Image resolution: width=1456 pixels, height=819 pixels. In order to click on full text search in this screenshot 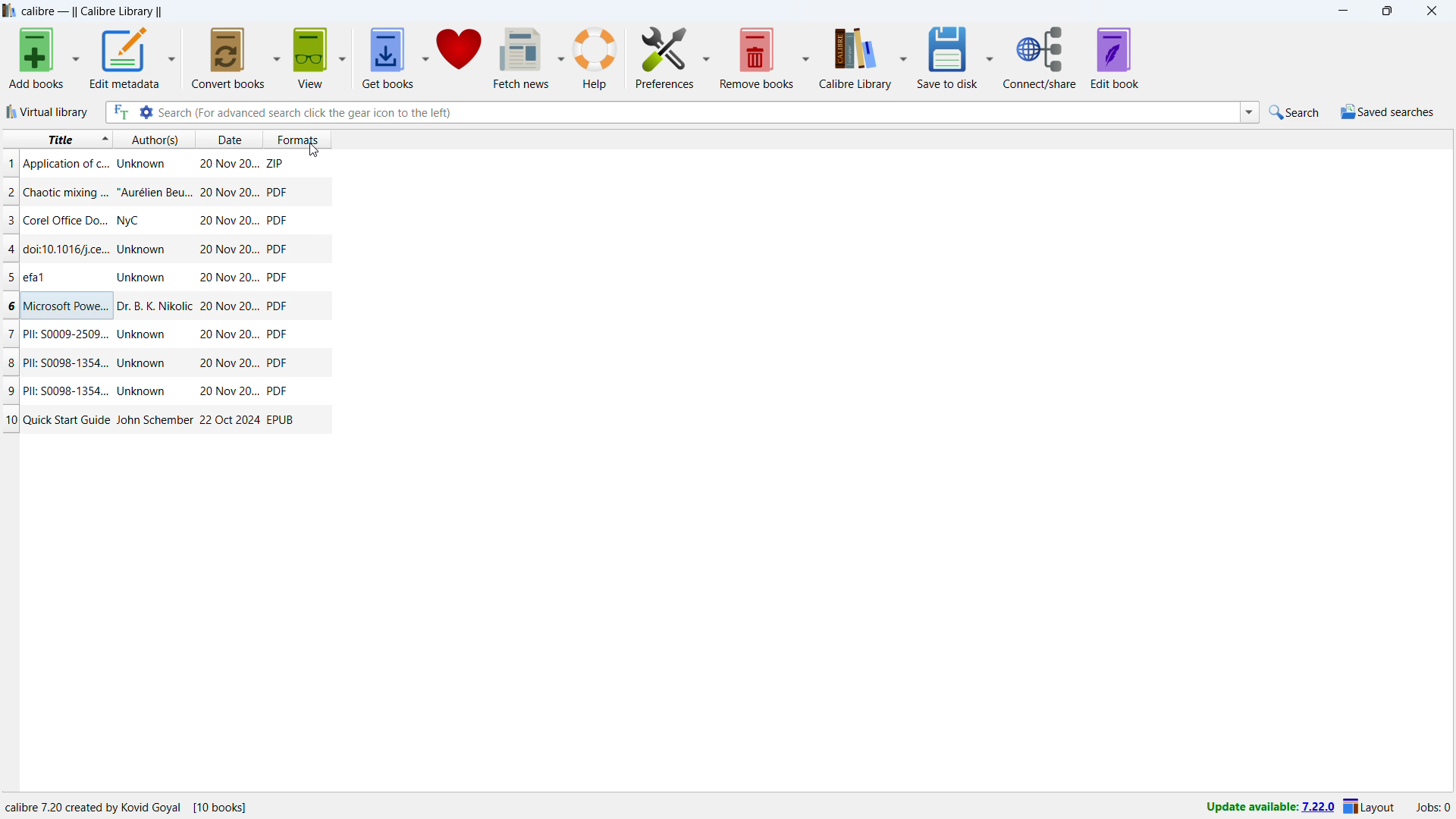, I will do `click(118, 112)`.